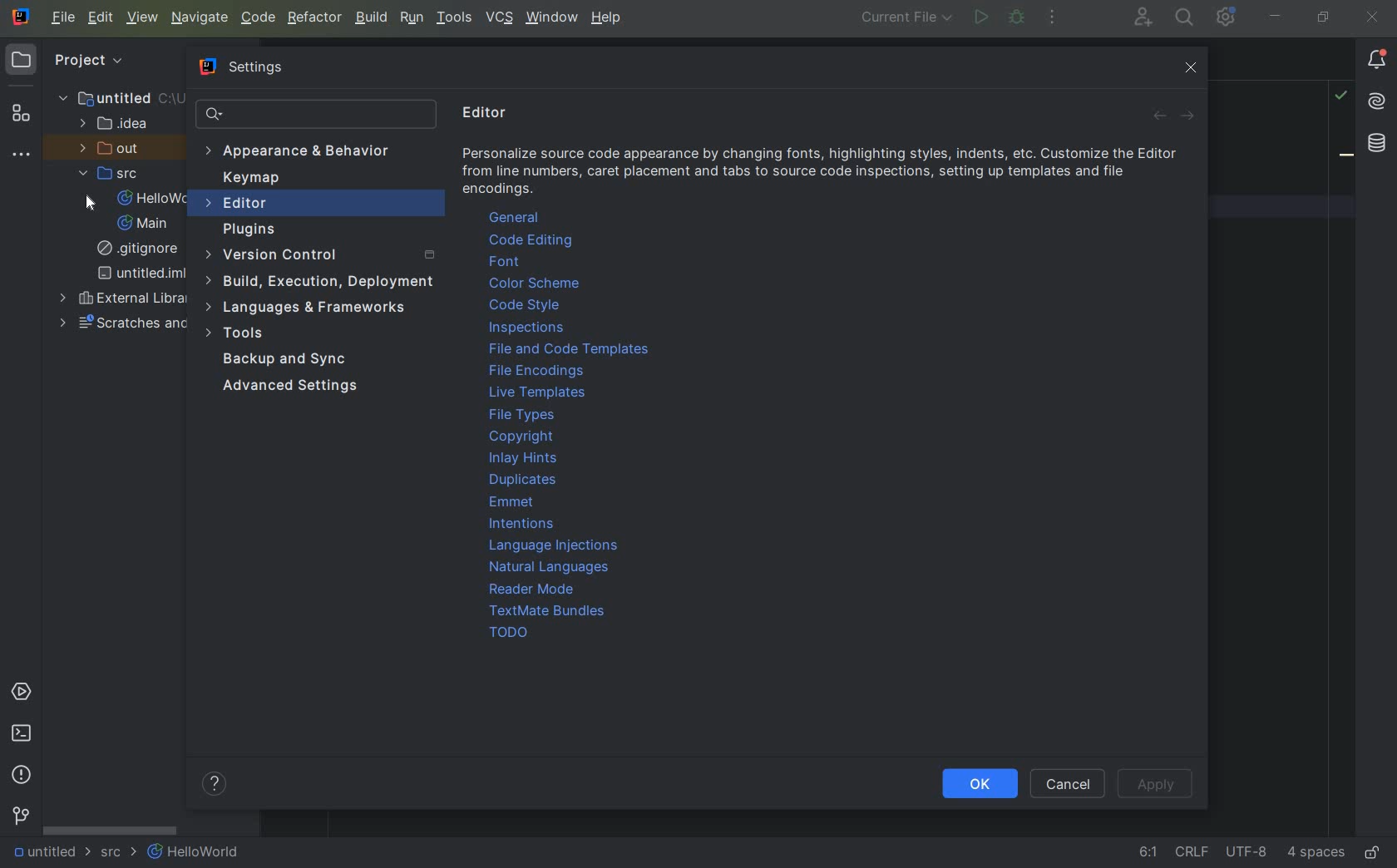 This screenshot has height=868, width=1397. What do you see at coordinates (125, 298) in the screenshot?
I see `EXTERNAL LIBRARIES` at bounding box center [125, 298].